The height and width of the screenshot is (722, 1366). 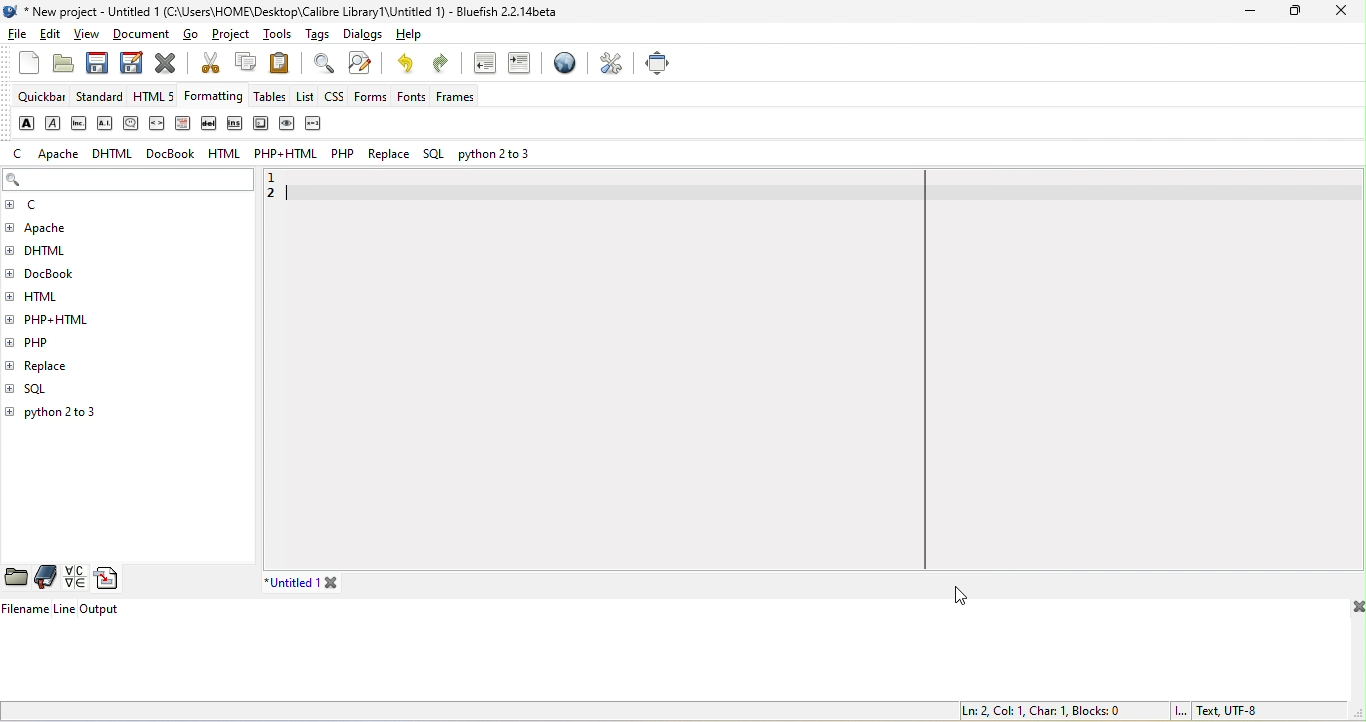 What do you see at coordinates (286, 62) in the screenshot?
I see `paste` at bounding box center [286, 62].